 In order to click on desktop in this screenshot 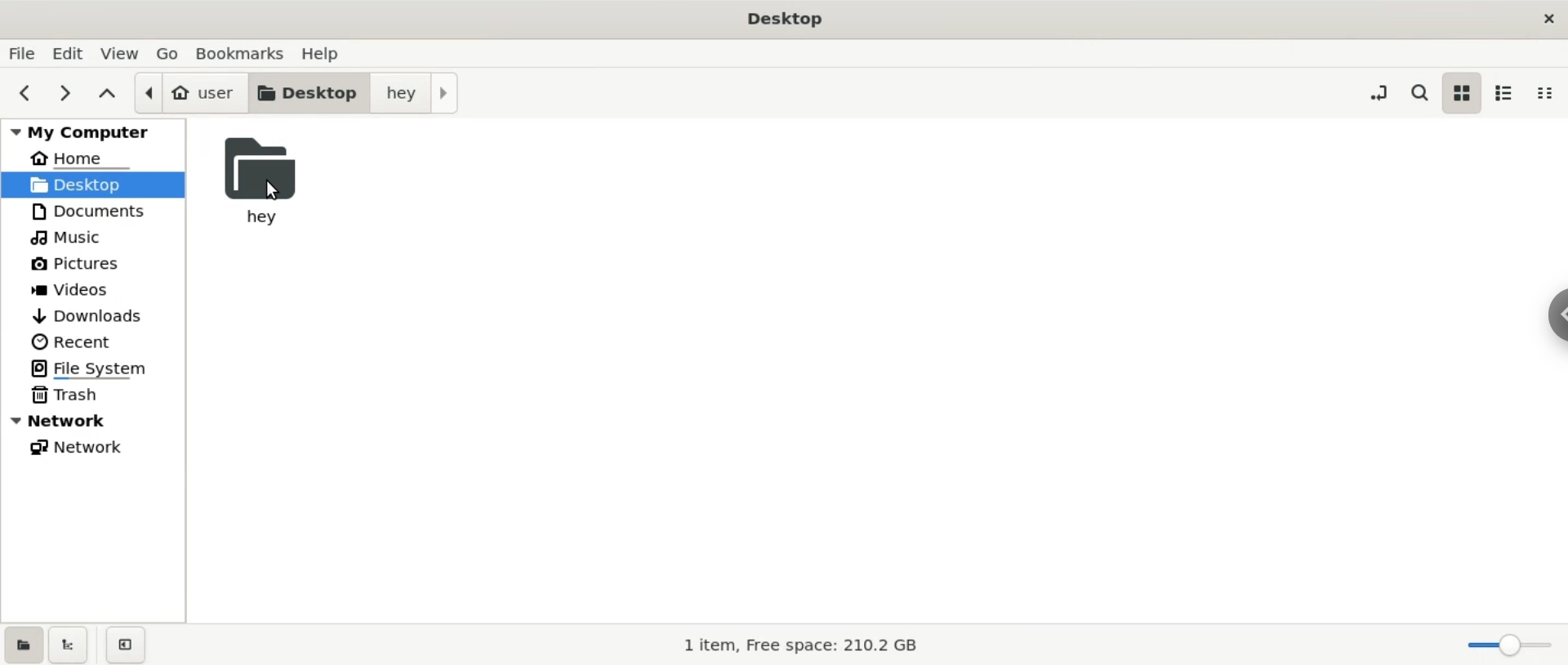, I will do `click(304, 93)`.